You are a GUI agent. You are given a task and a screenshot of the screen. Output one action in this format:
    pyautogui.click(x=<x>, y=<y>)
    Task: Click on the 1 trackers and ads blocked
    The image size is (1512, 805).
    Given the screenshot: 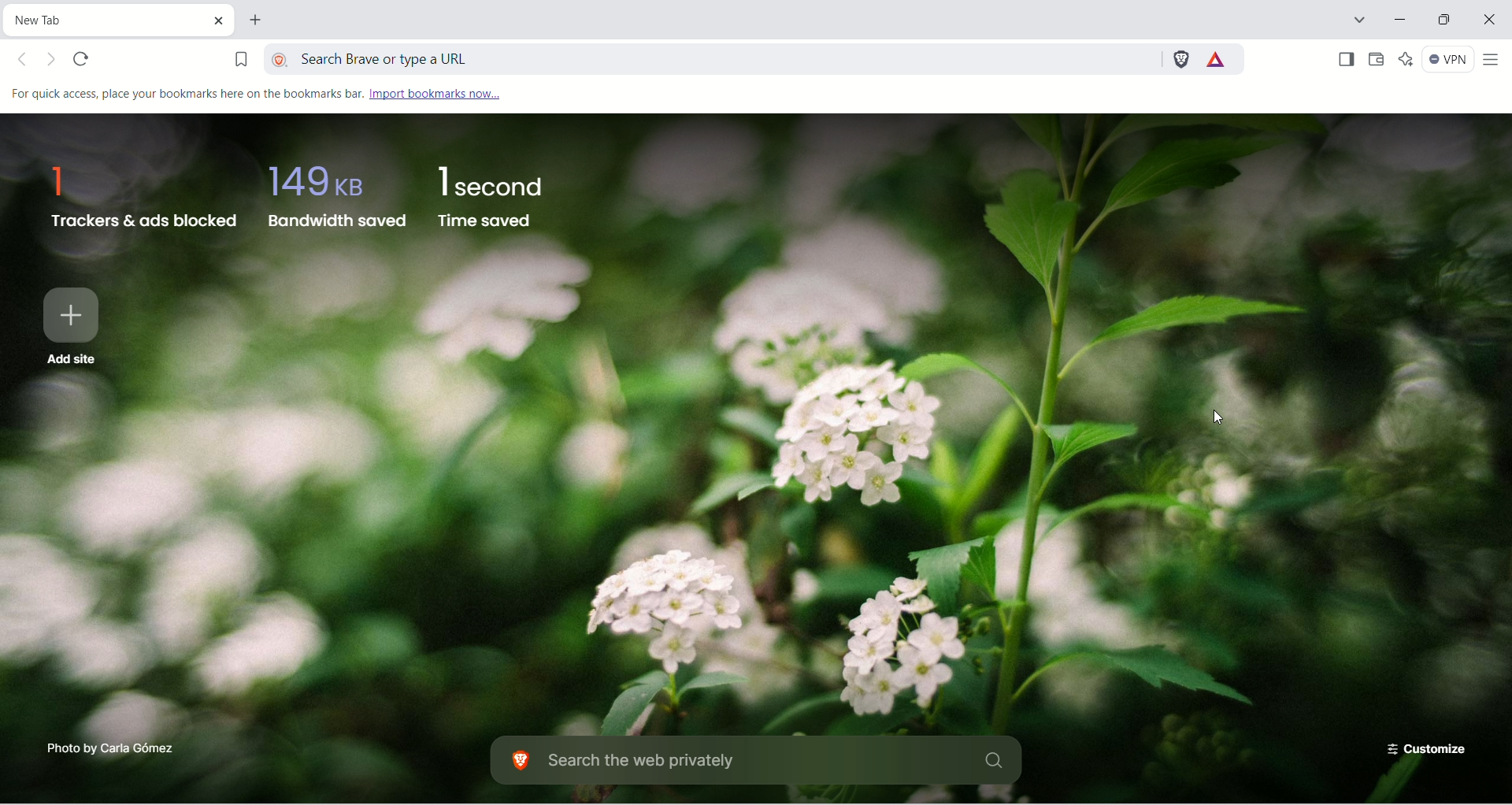 What is the action you would take?
    pyautogui.click(x=138, y=197)
    